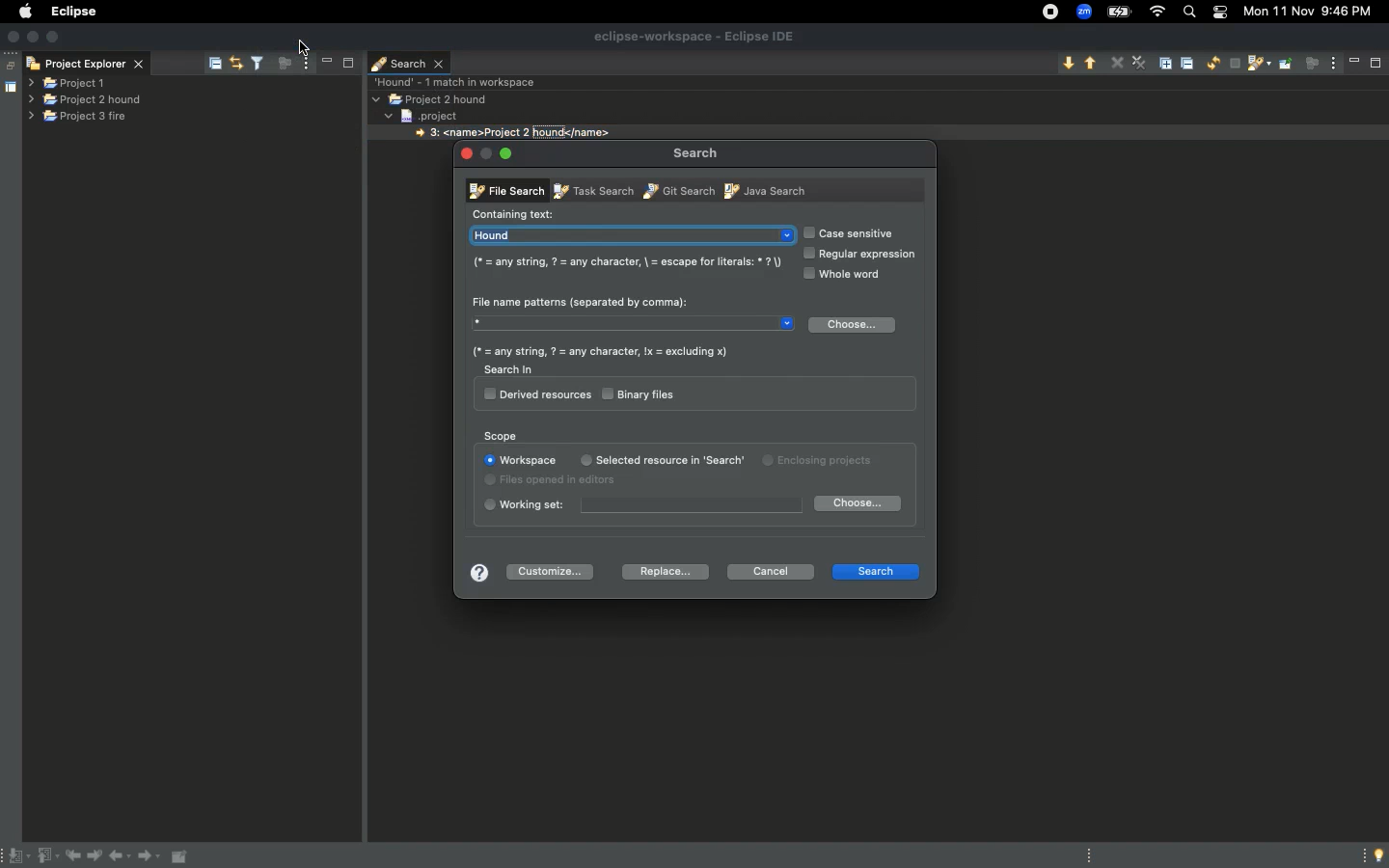 This screenshot has width=1389, height=868. Describe the element at coordinates (432, 99) in the screenshot. I see `Project 2 hound` at that location.